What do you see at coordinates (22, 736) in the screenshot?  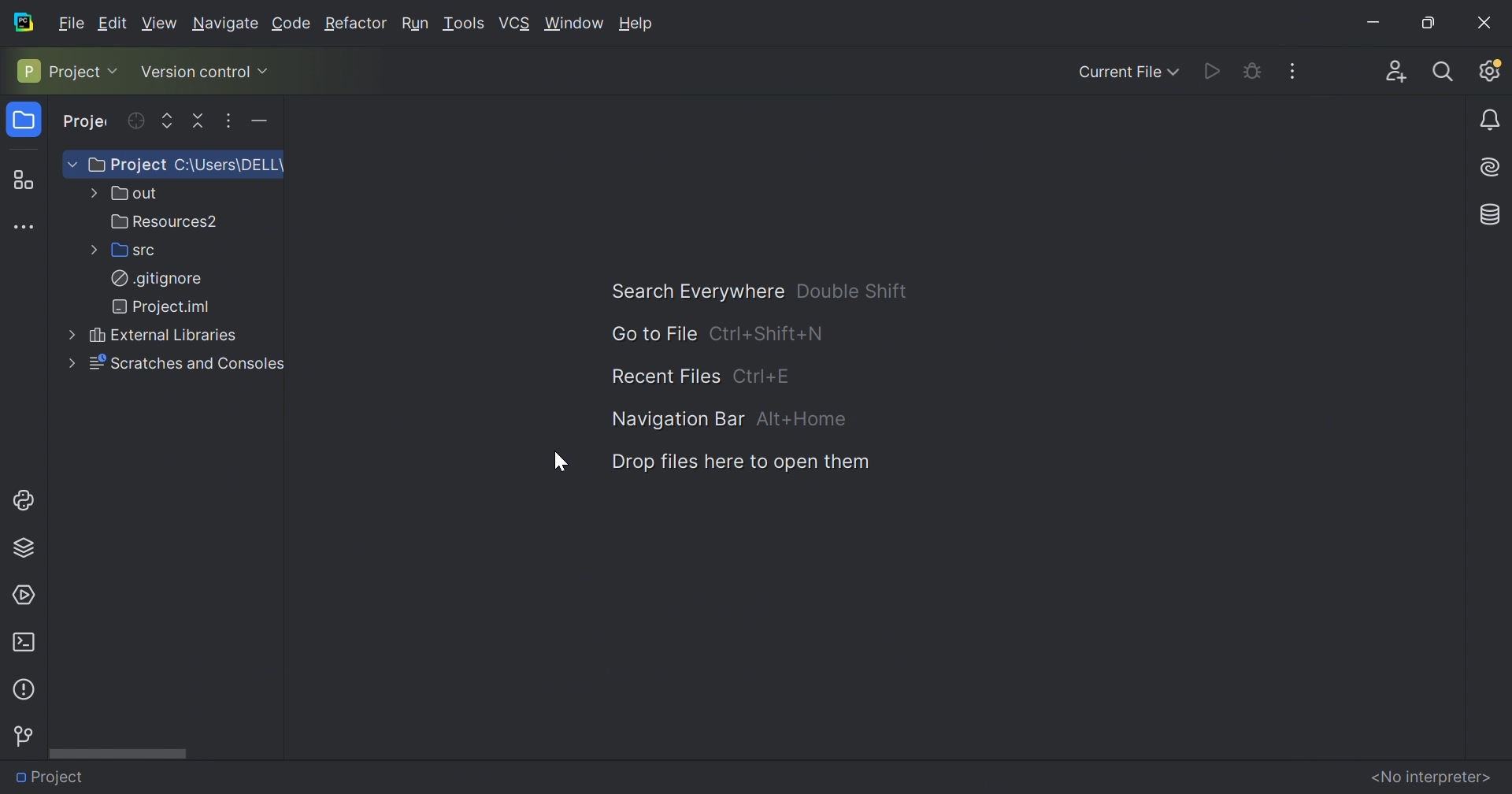 I see `Version control` at bounding box center [22, 736].